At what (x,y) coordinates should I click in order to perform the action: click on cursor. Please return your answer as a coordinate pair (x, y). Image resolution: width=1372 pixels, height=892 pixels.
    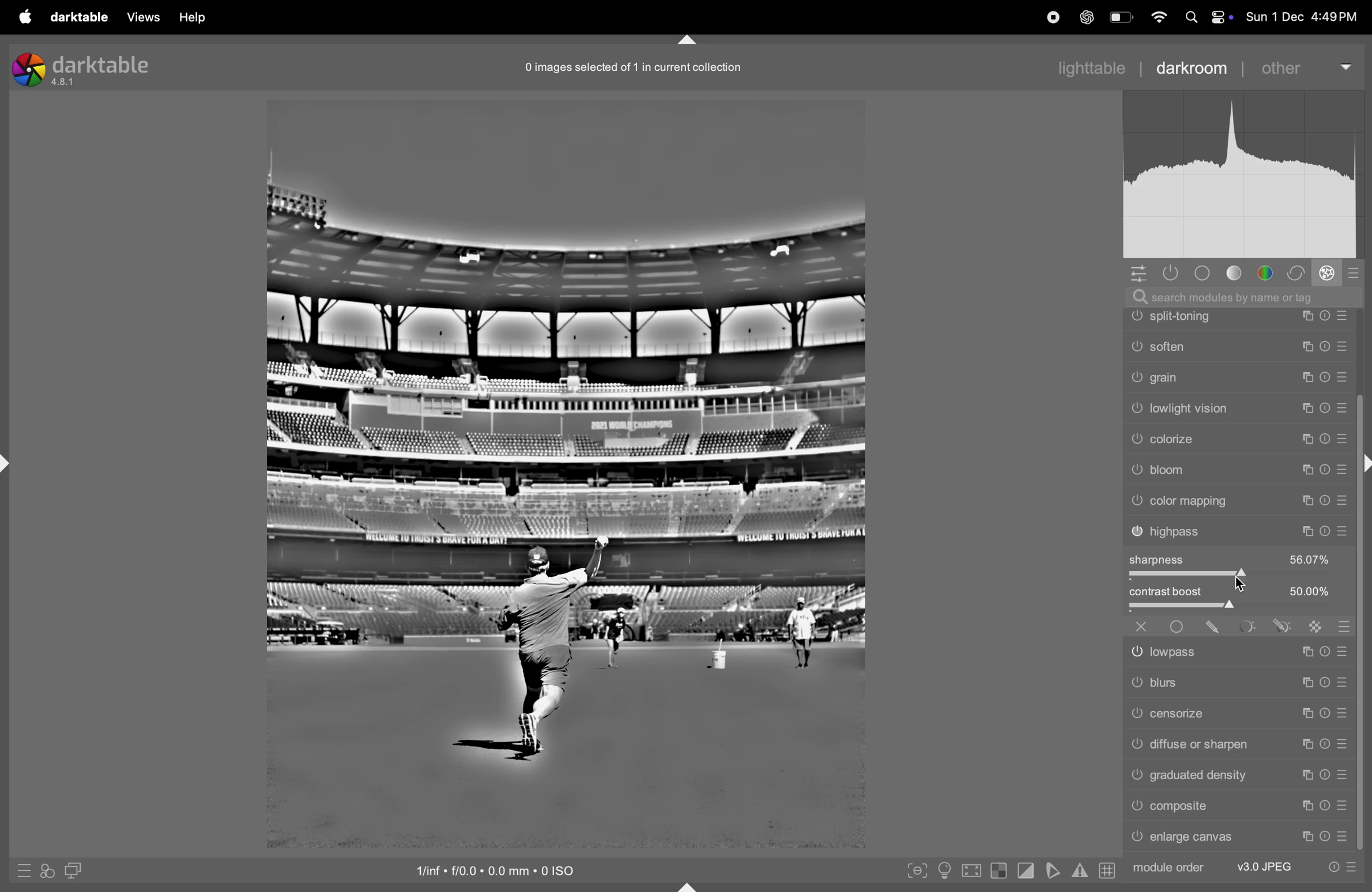
    Looking at the image, I should click on (1246, 579).